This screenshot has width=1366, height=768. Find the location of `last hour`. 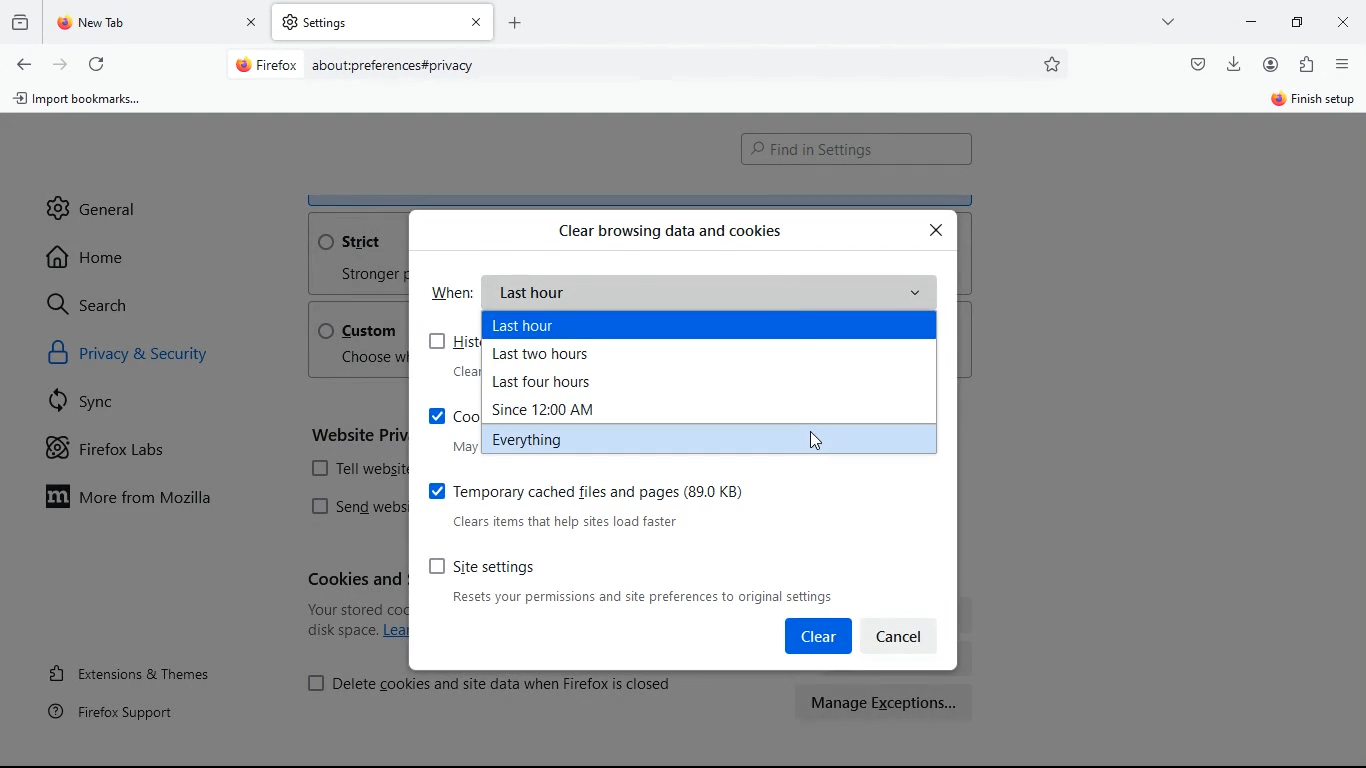

last hour is located at coordinates (713, 292).